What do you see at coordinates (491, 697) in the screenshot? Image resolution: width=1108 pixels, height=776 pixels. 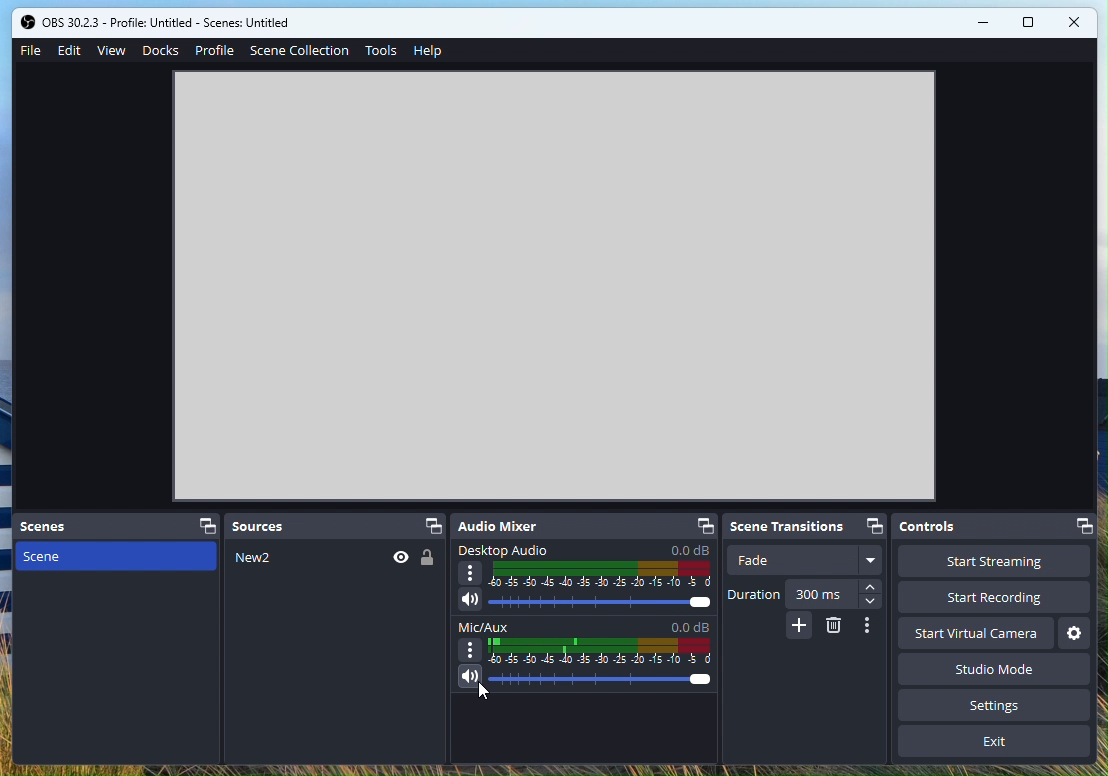 I see `Cursor` at bounding box center [491, 697].